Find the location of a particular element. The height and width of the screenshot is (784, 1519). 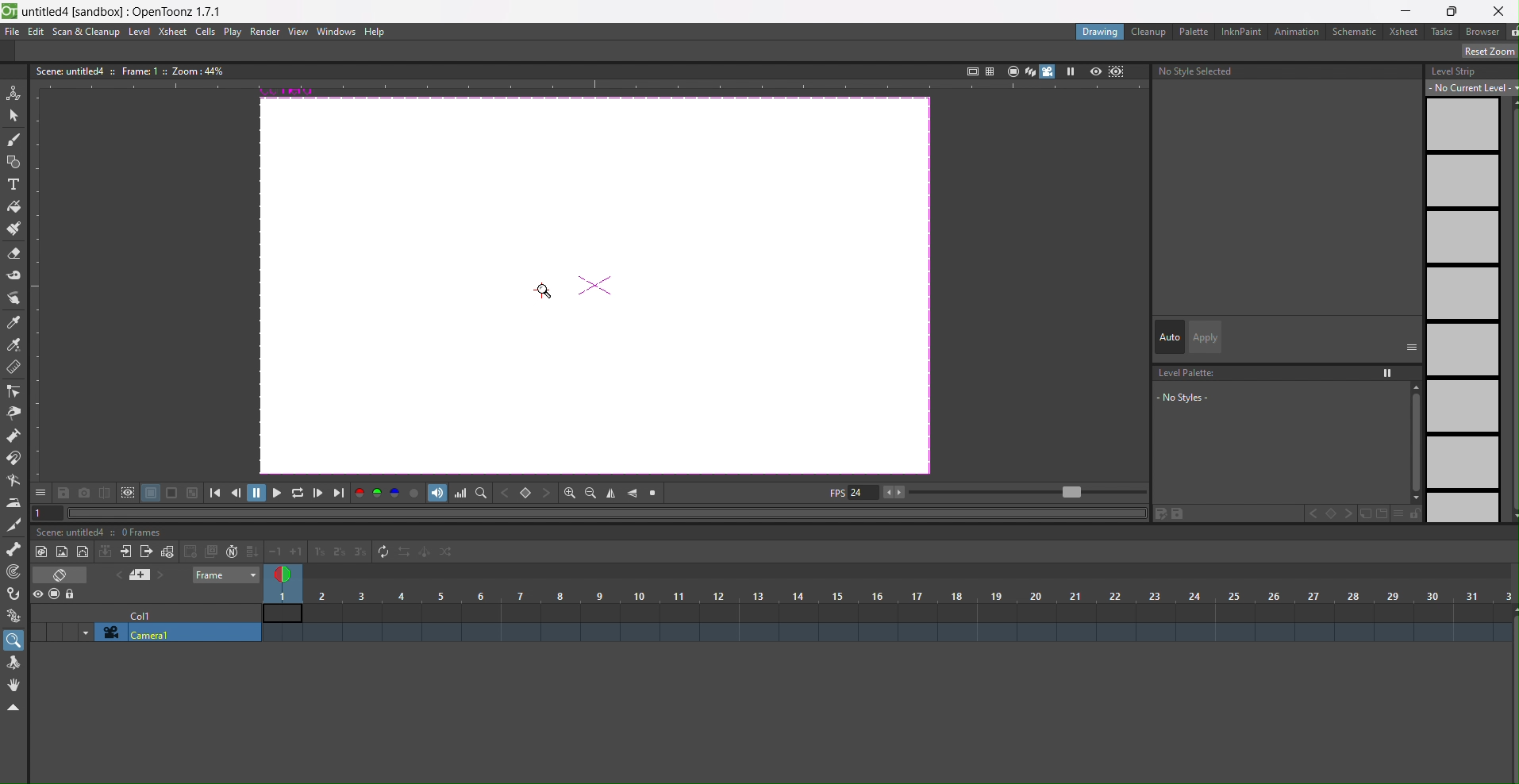

level palette is located at coordinates (1286, 402).